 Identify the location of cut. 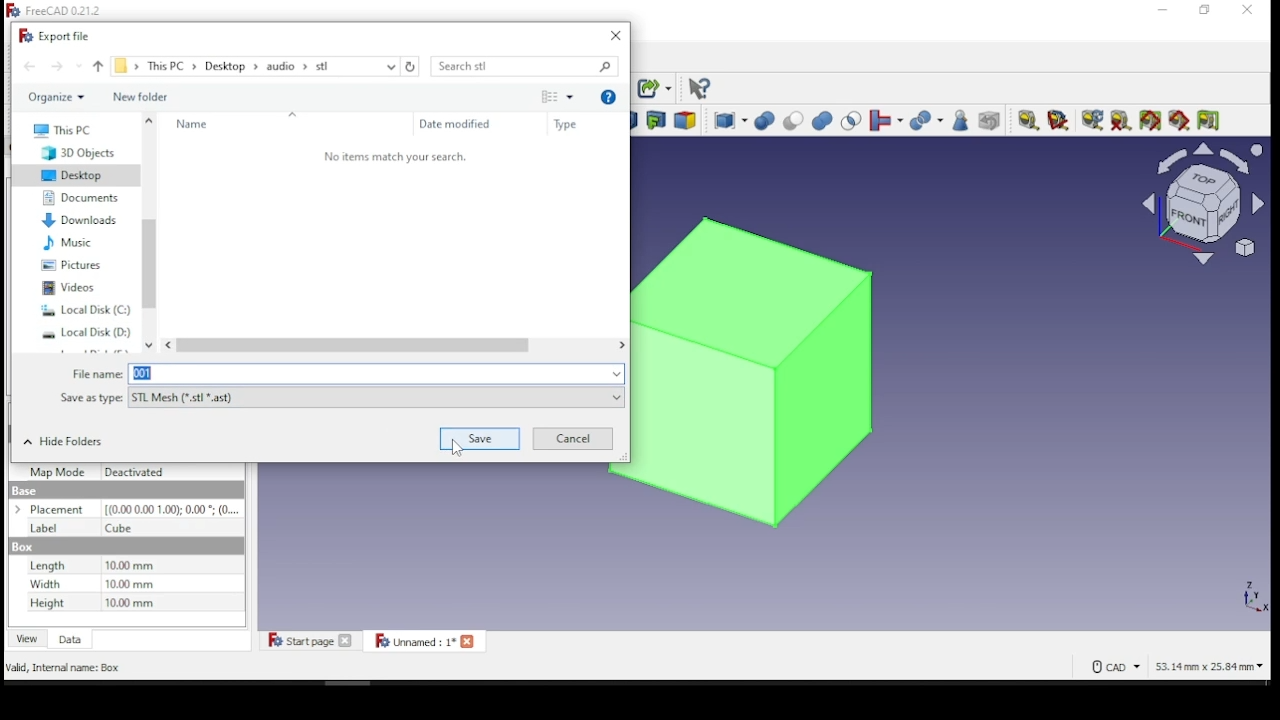
(794, 120).